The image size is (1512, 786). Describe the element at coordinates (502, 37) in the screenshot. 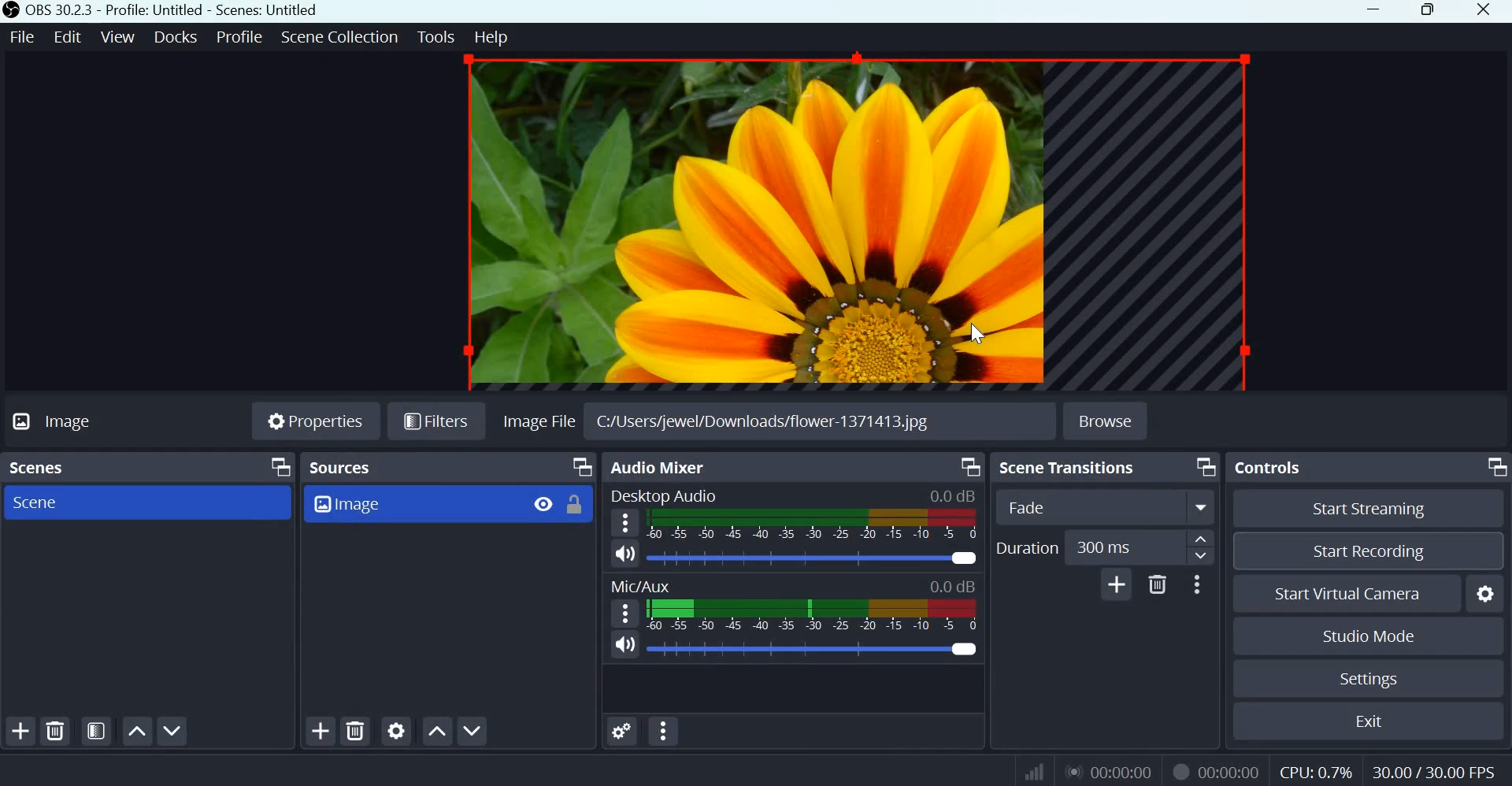

I see `Help` at that location.